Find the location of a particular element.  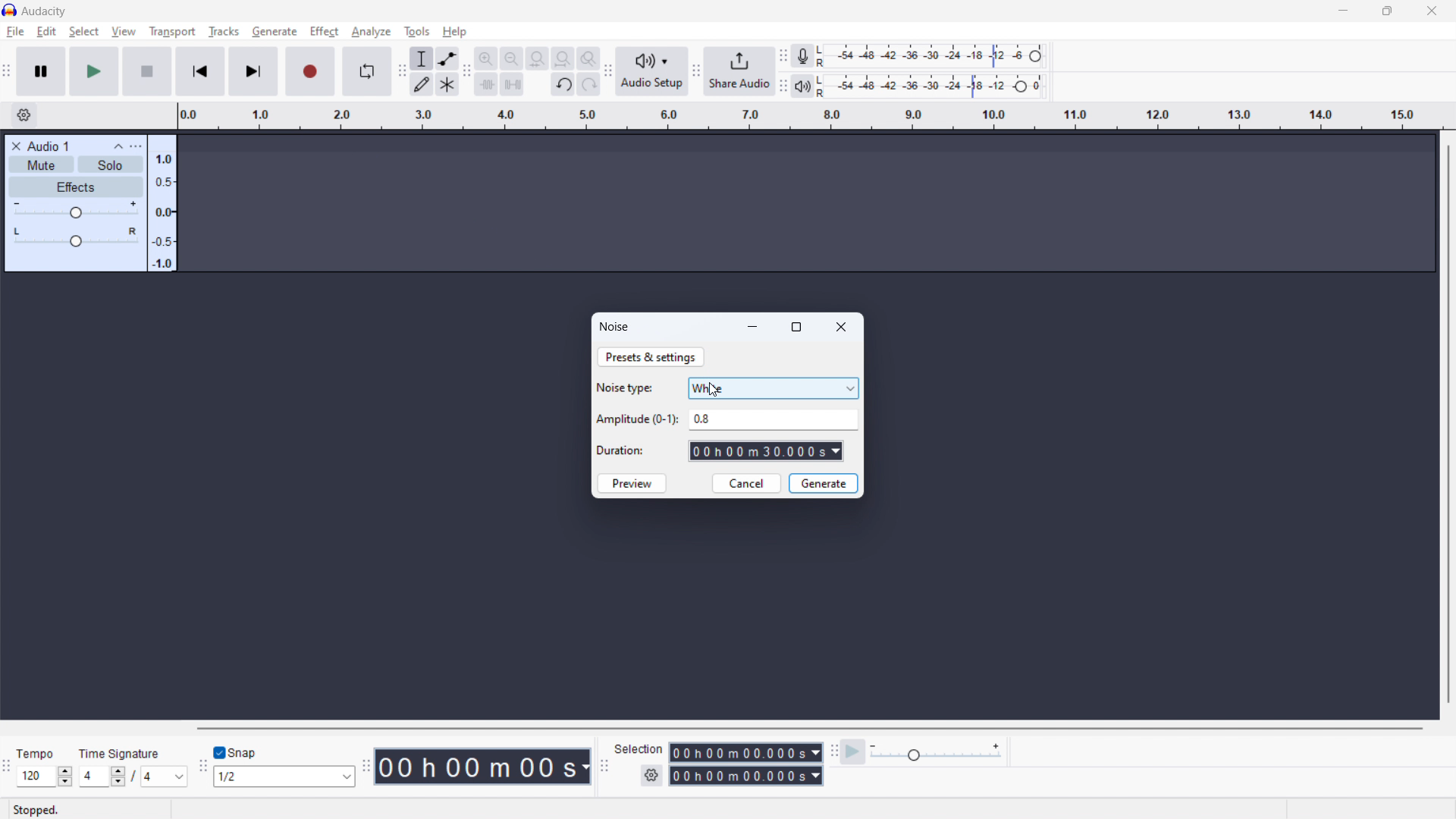

undo is located at coordinates (563, 84).